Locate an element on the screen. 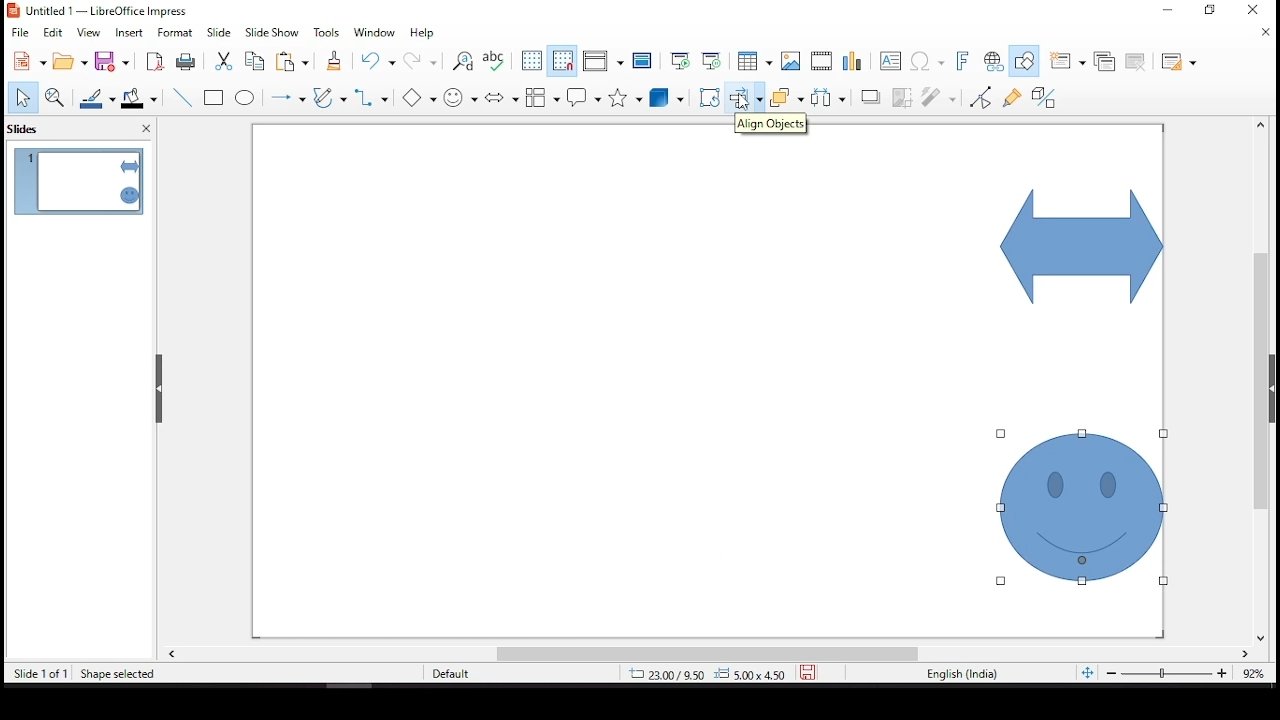  print is located at coordinates (184, 63).